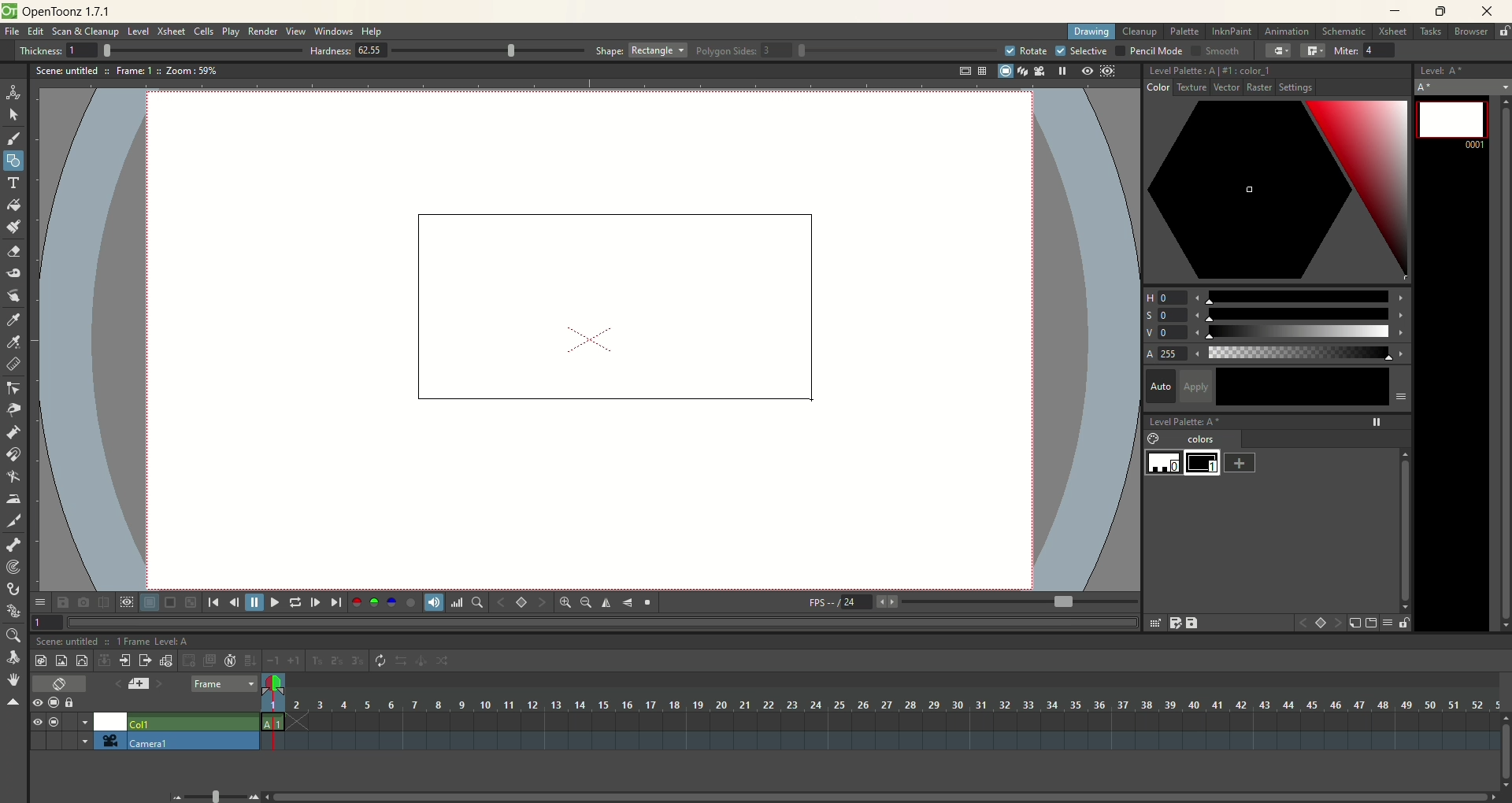 The height and width of the screenshot is (803, 1512). Describe the element at coordinates (1280, 420) in the screenshot. I see `level palette` at that location.